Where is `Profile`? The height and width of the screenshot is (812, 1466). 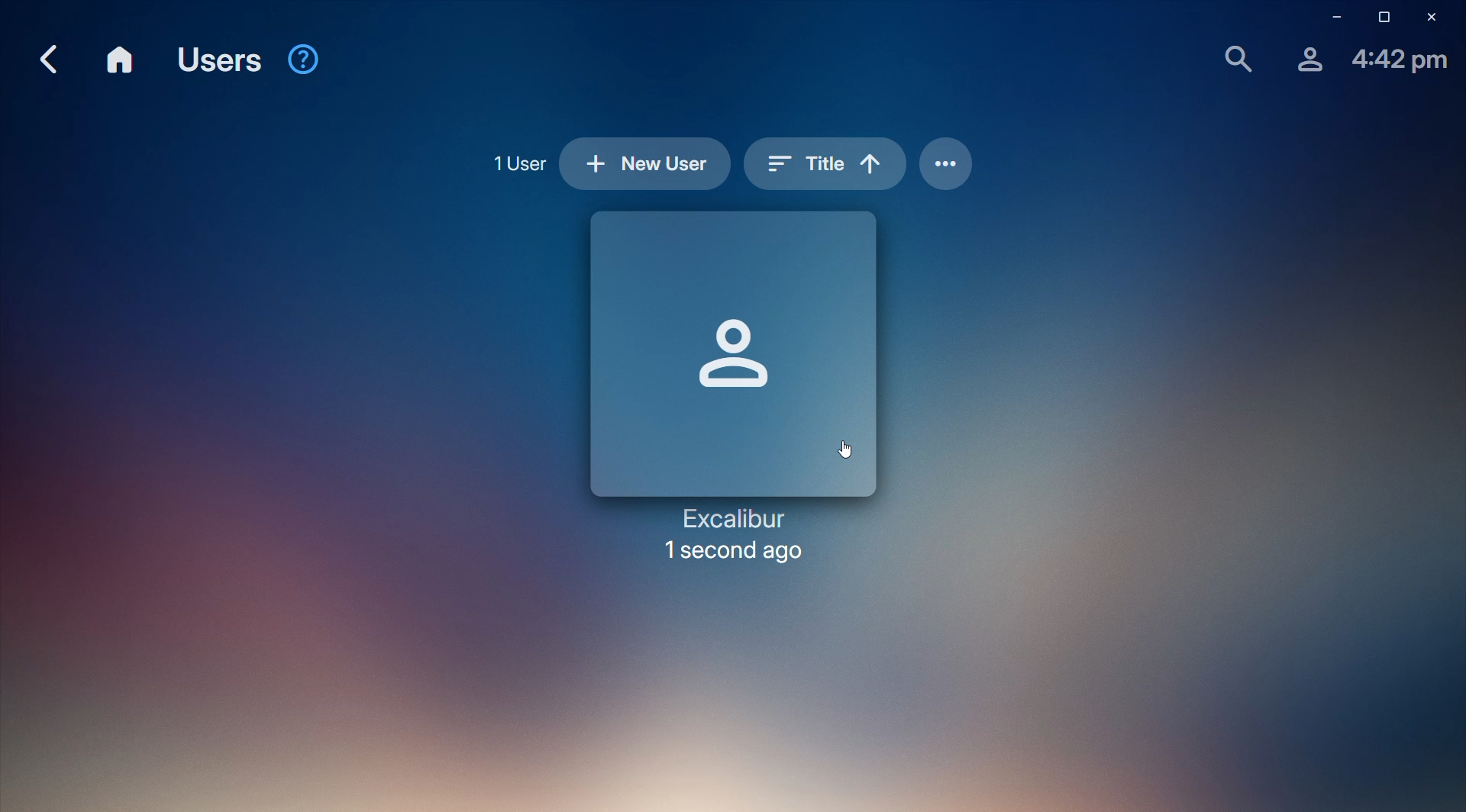 Profile is located at coordinates (1305, 59).